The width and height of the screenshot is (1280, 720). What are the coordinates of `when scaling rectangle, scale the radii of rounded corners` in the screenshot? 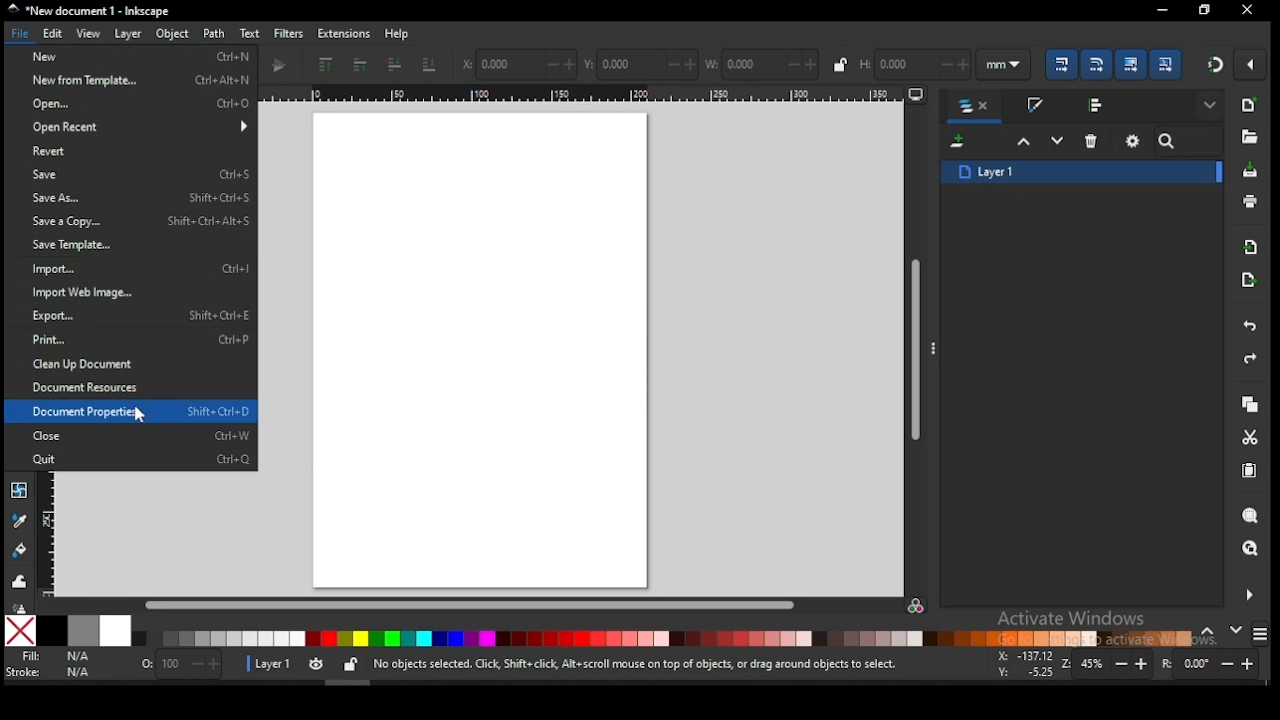 It's located at (1095, 64).